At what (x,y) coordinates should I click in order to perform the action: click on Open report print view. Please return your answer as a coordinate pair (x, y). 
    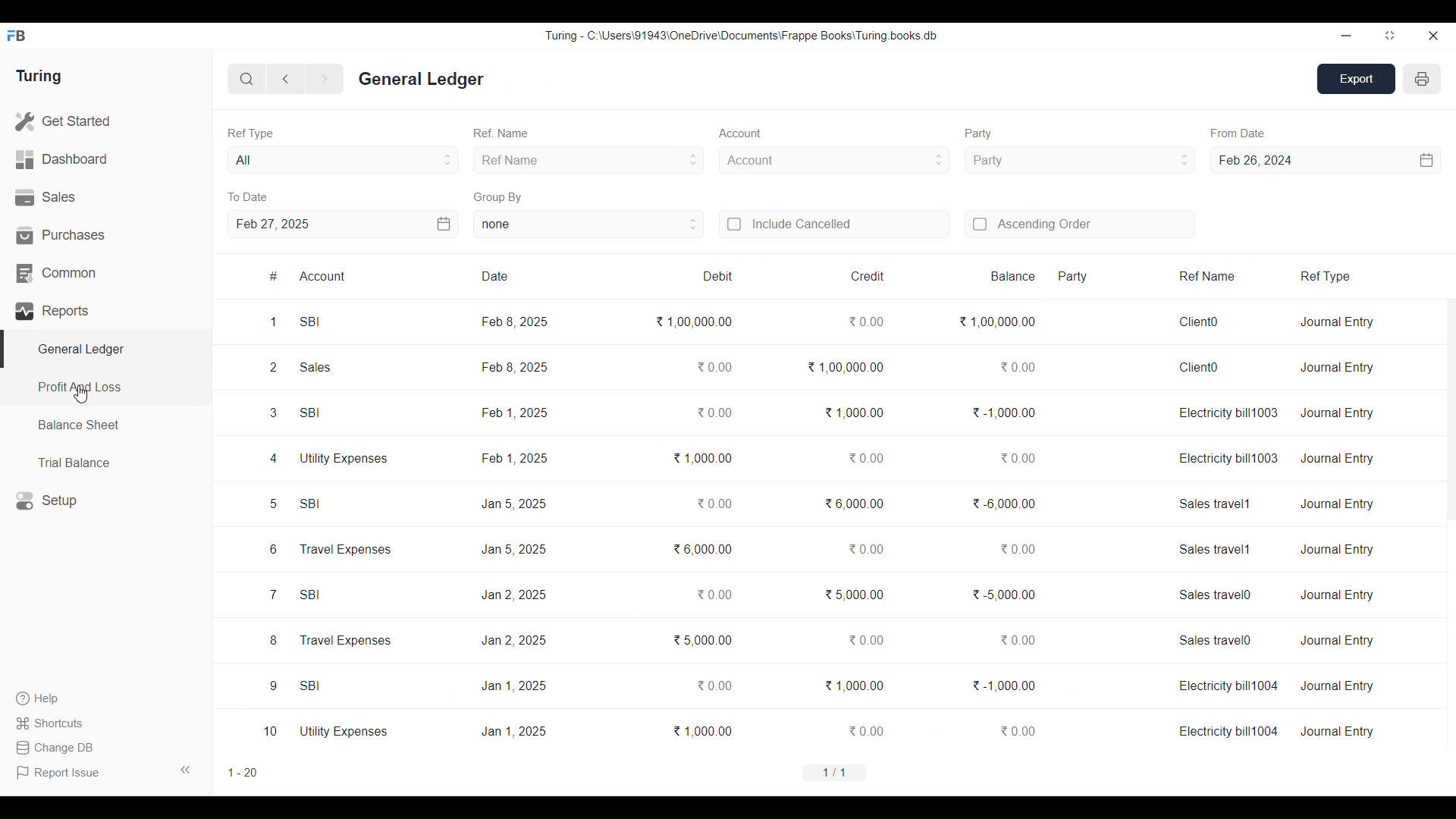
    Looking at the image, I should click on (1422, 79).